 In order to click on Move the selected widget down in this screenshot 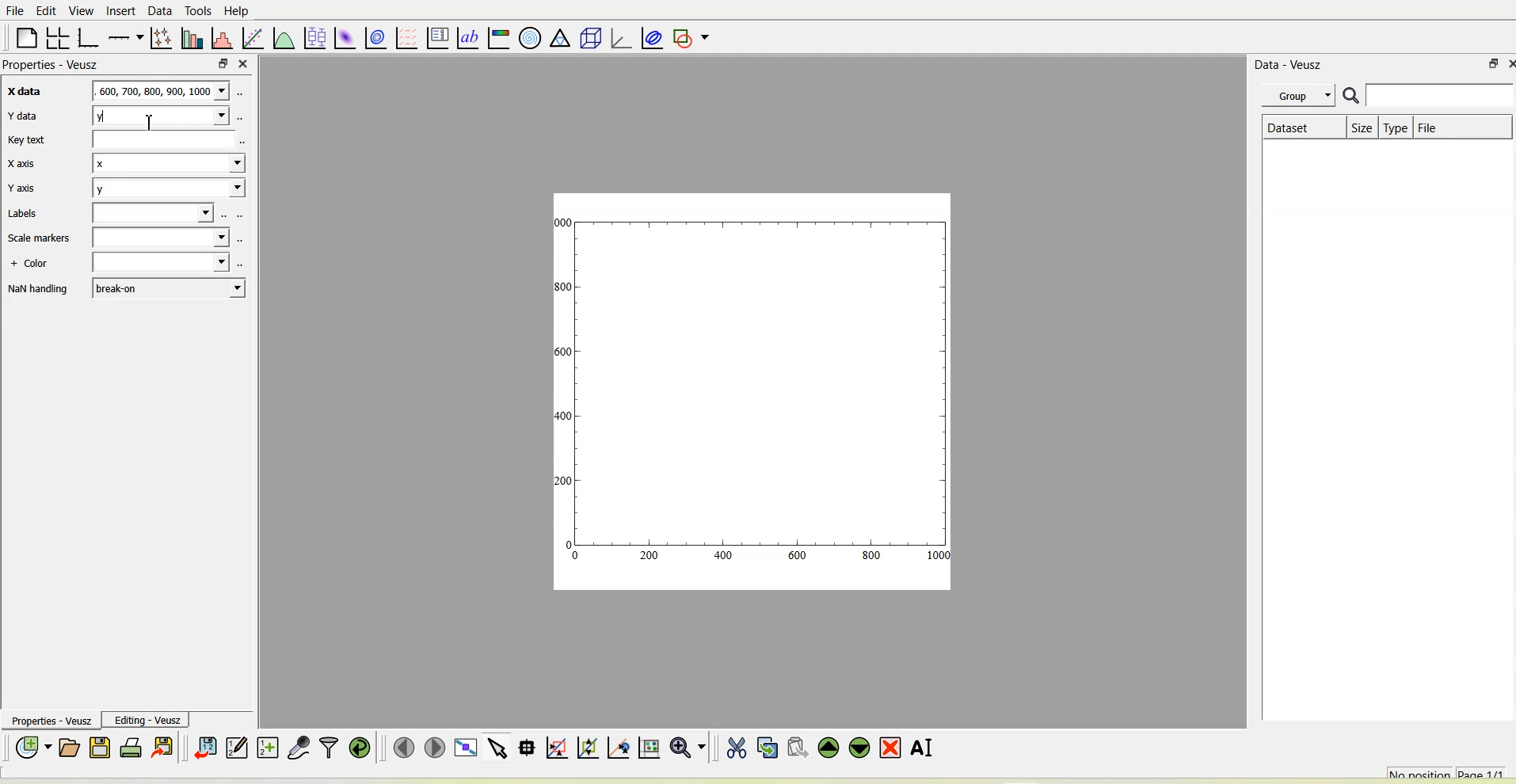, I will do `click(859, 748)`.